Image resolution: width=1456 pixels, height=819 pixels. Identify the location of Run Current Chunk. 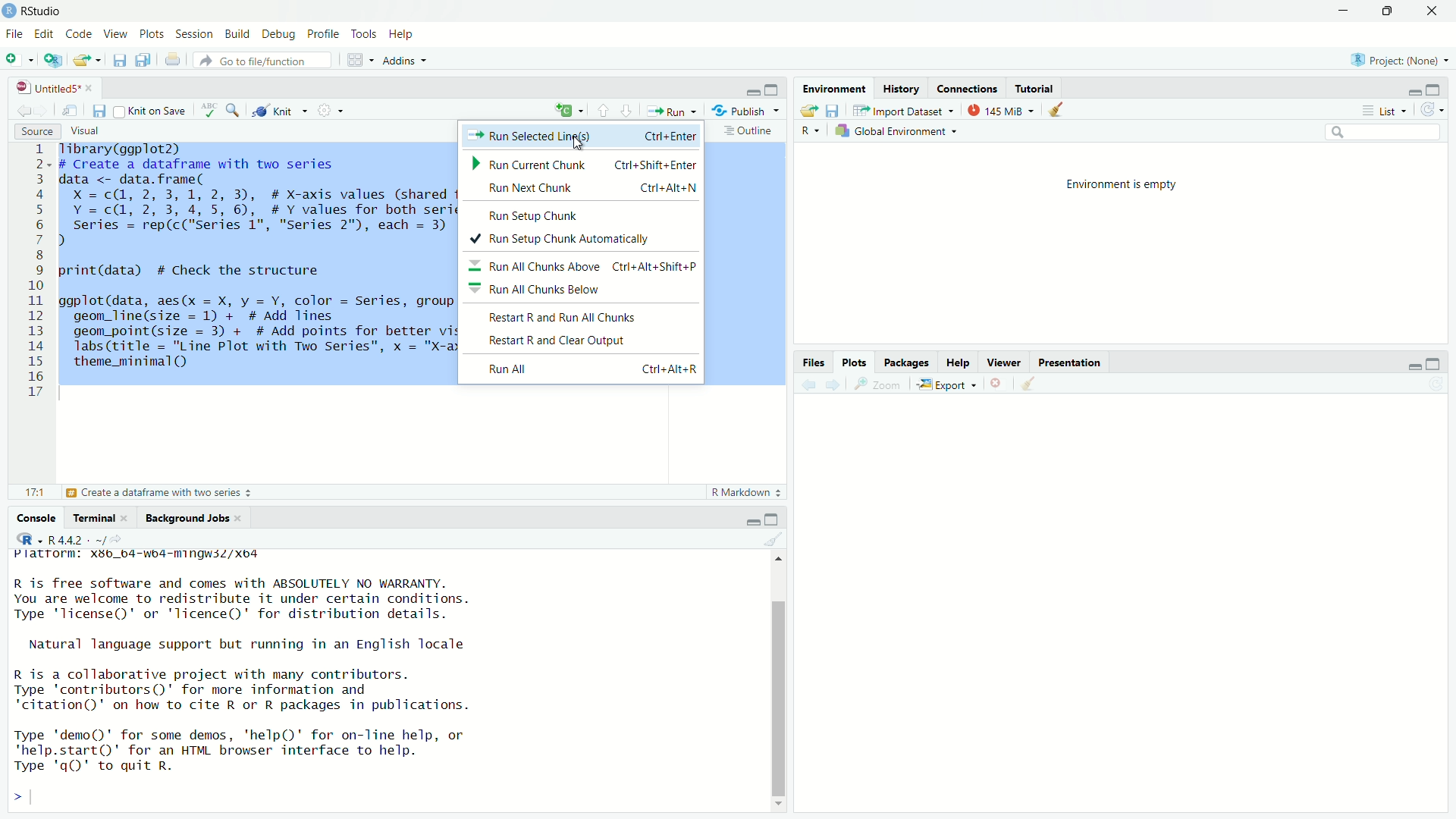
(579, 163).